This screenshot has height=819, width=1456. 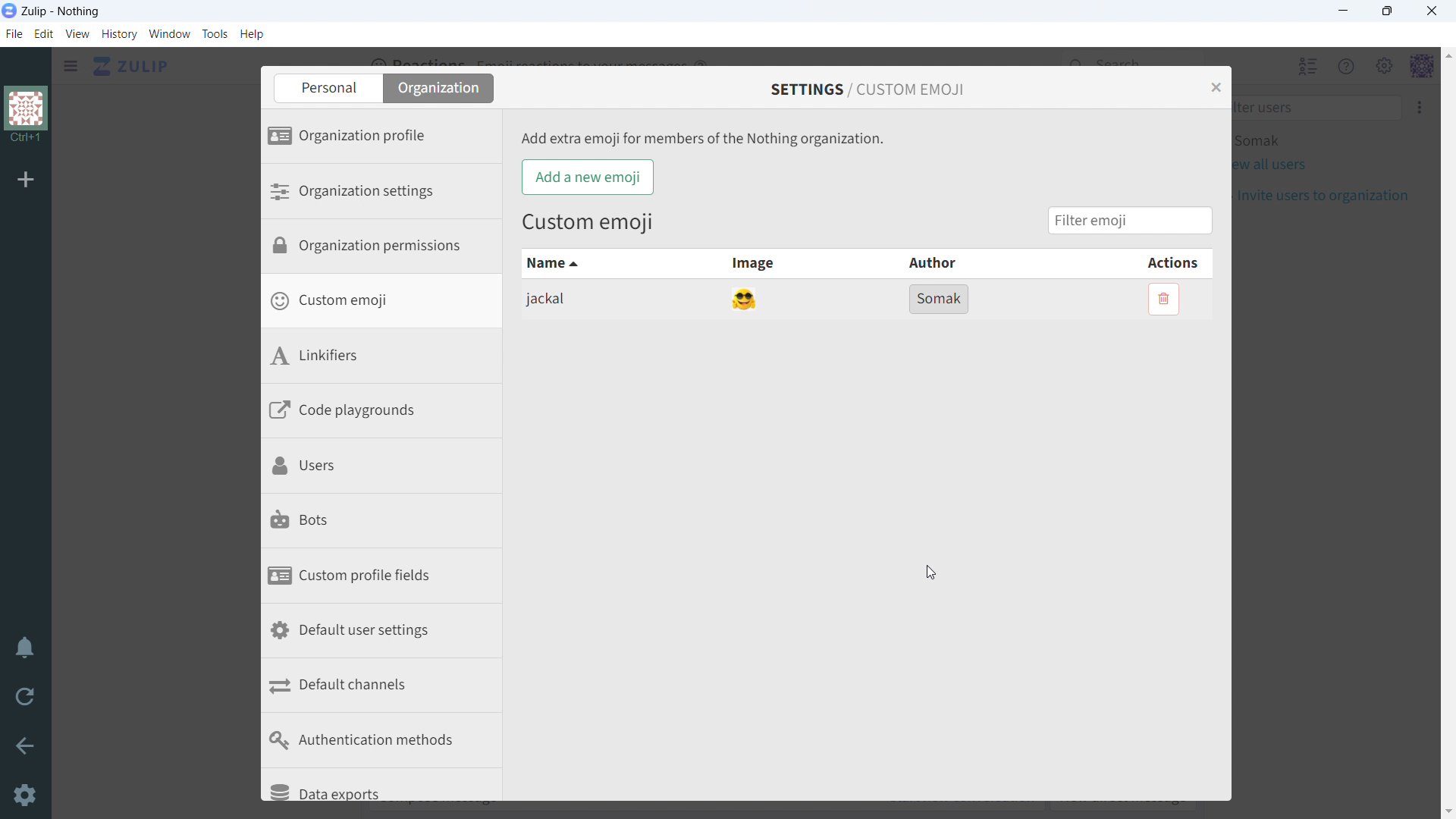 What do you see at coordinates (1330, 196) in the screenshot?
I see `invite users` at bounding box center [1330, 196].